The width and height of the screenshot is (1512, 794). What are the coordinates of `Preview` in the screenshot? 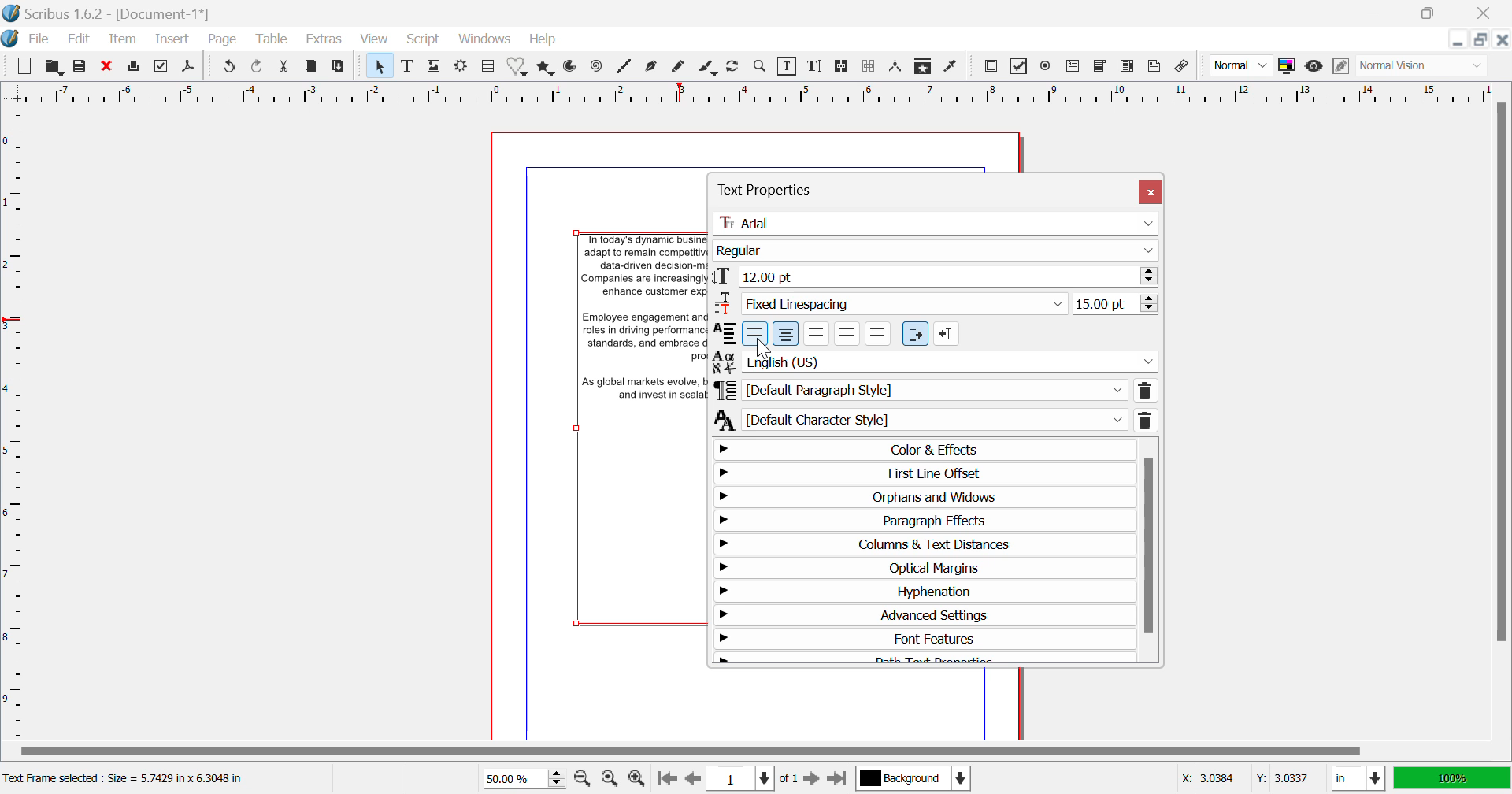 It's located at (1314, 66).